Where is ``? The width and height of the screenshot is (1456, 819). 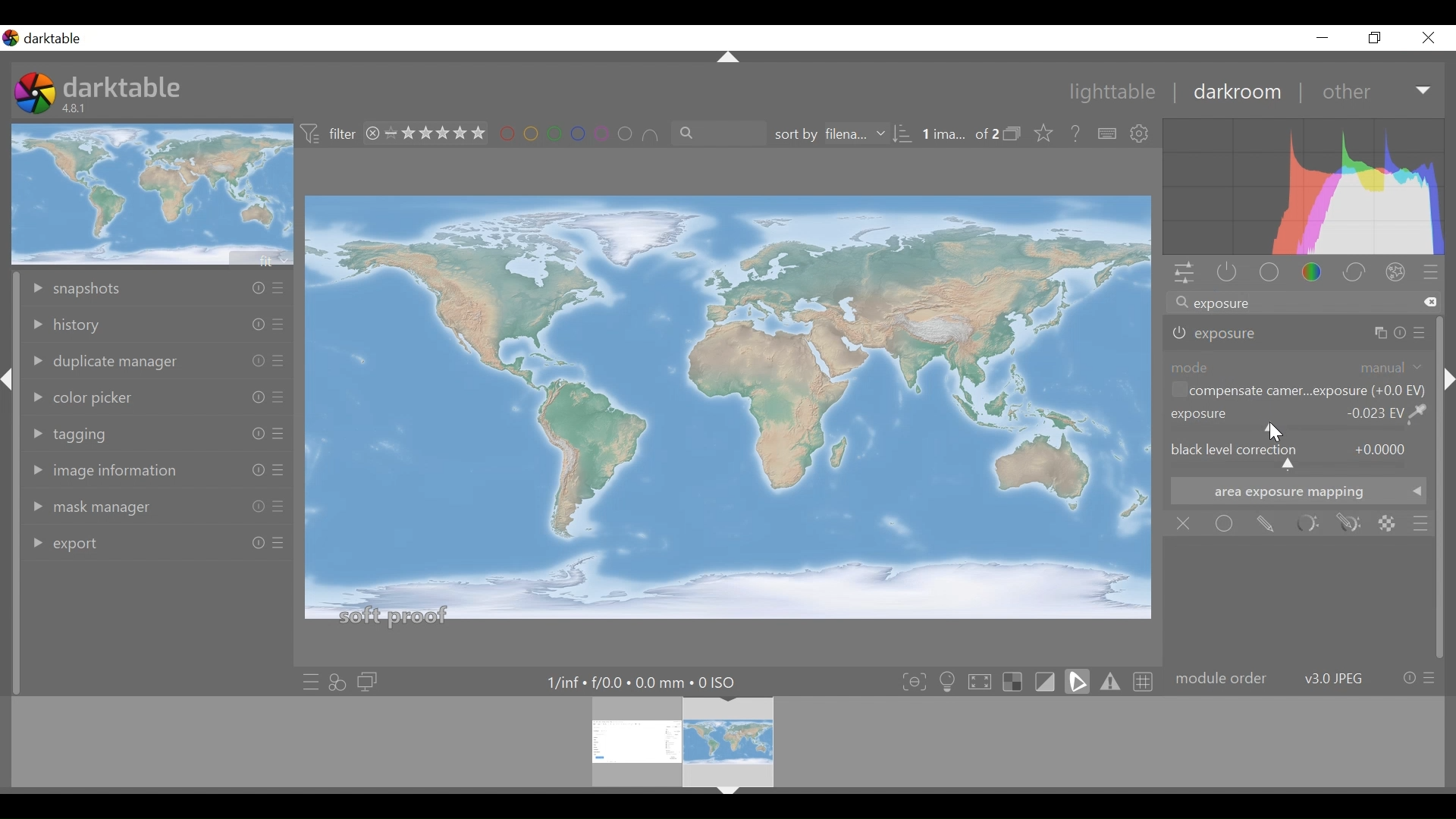  is located at coordinates (729, 59).